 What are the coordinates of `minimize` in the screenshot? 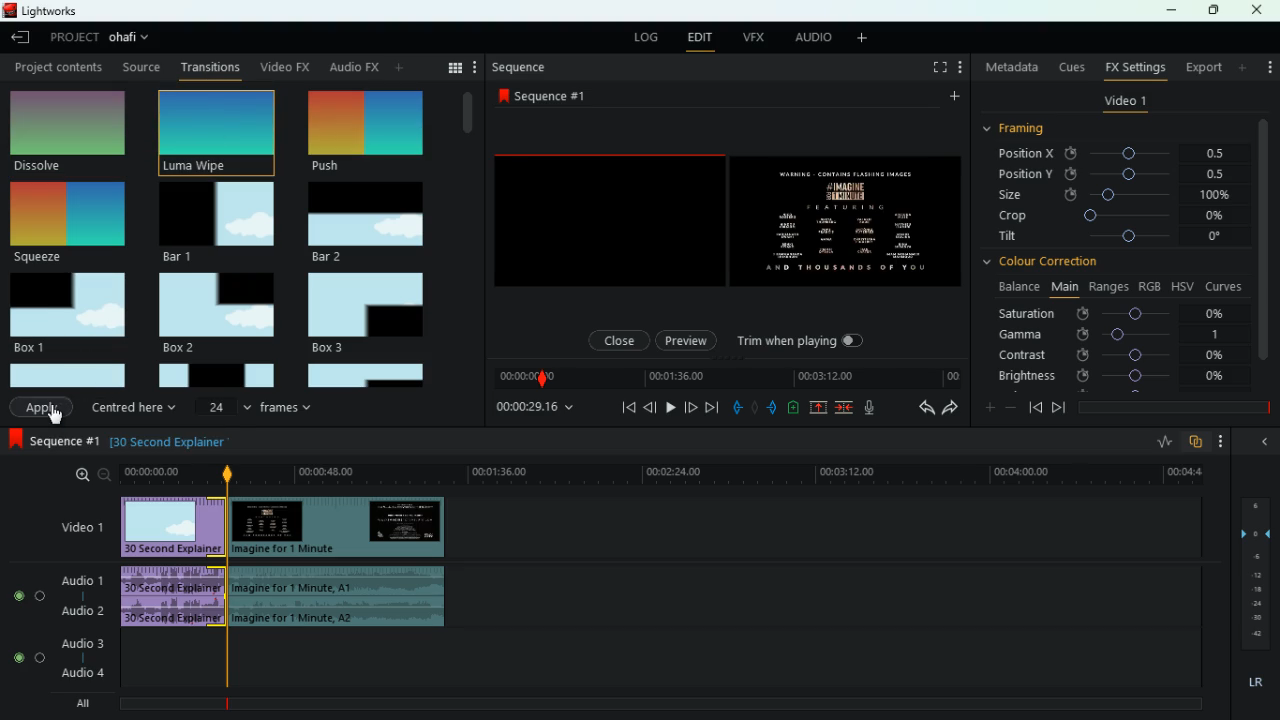 It's located at (1171, 12).